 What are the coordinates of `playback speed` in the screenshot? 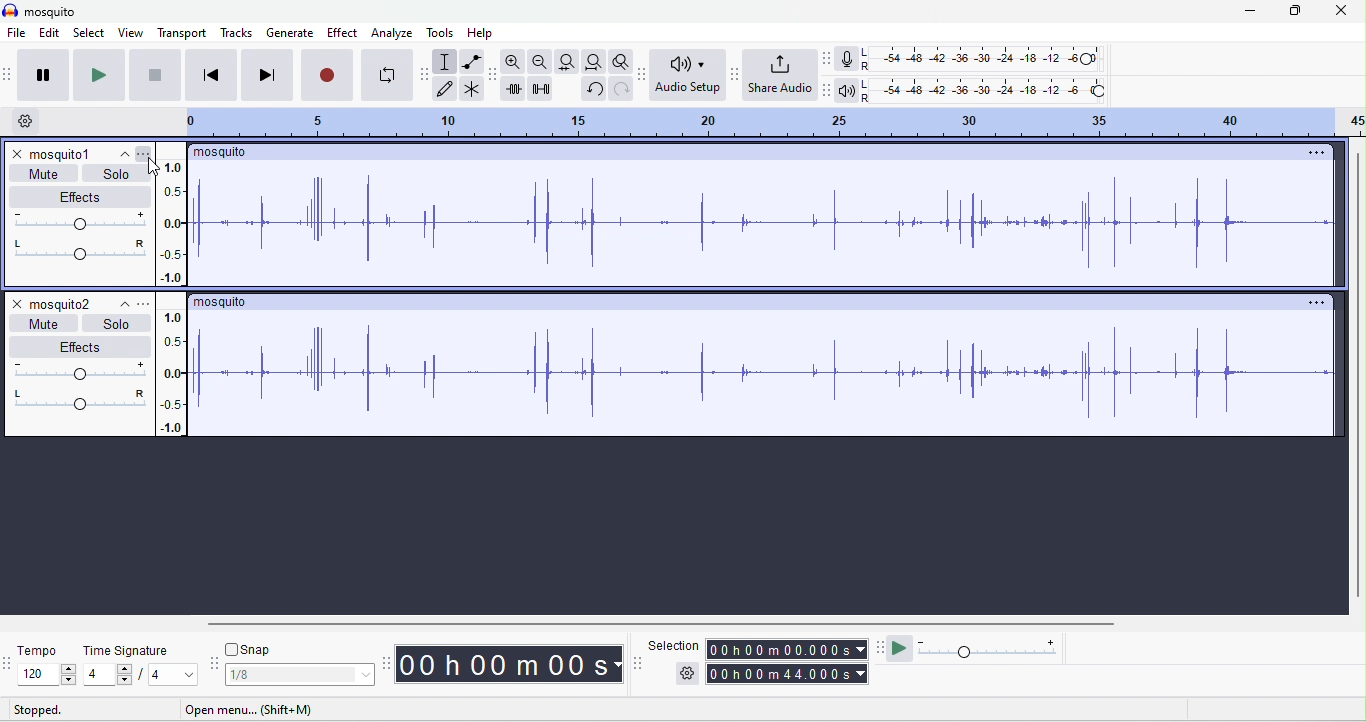 It's located at (993, 648).